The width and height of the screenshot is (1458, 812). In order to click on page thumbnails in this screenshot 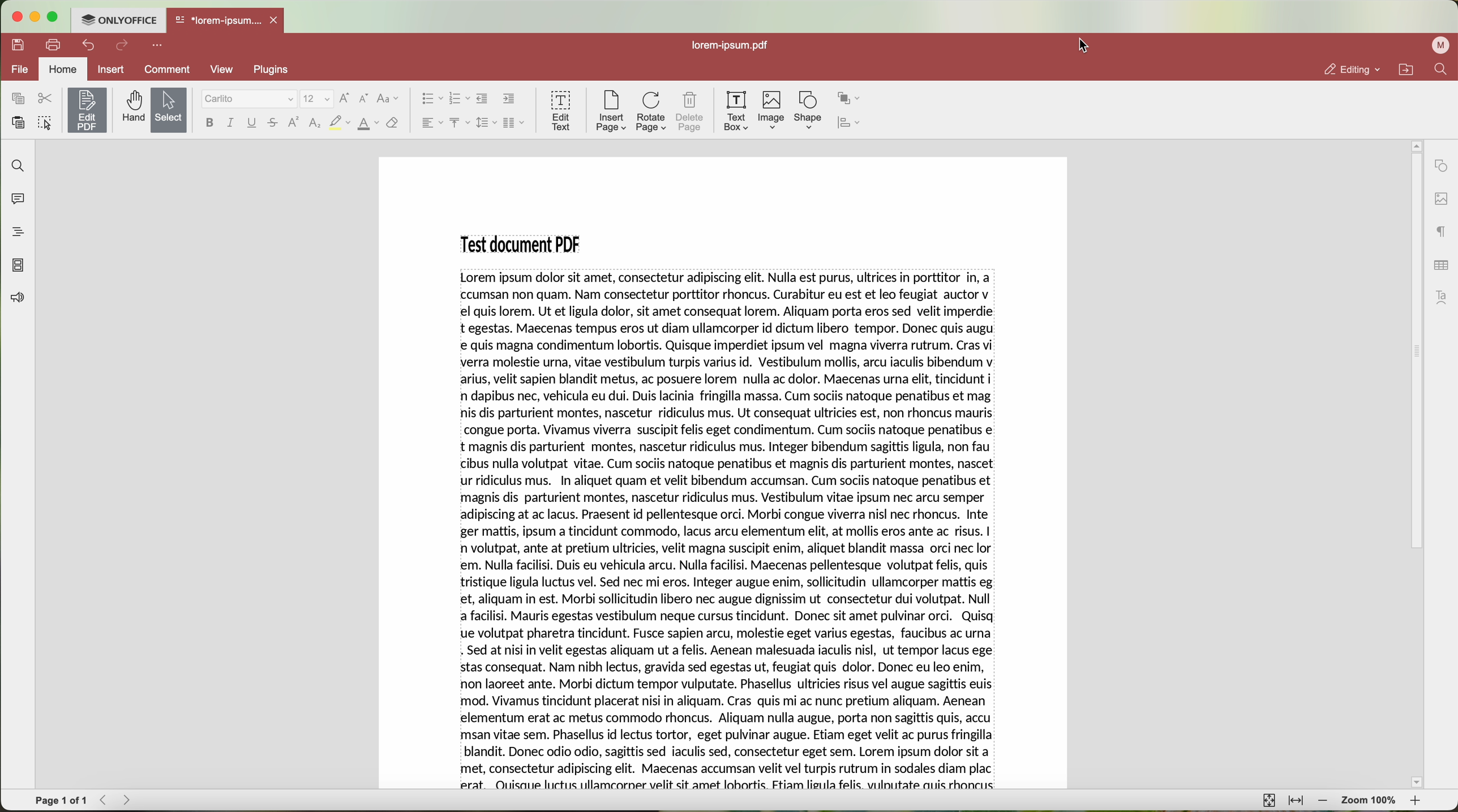, I will do `click(19, 266)`.